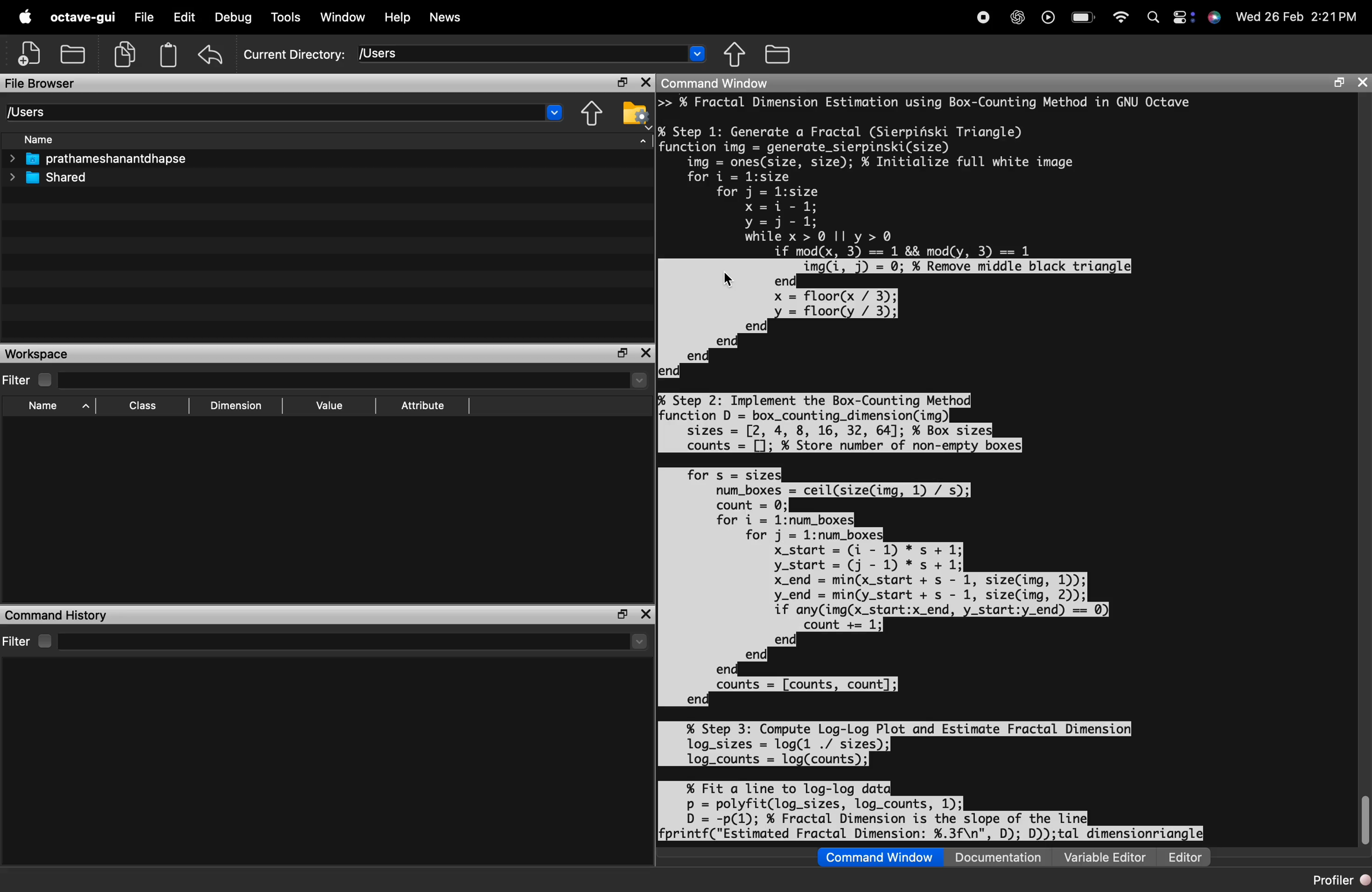 Image resolution: width=1372 pixels, height=892 pixels. What do you see at coordinates (620, 611) in the screenshot?
I see `maximise` at bounding box center [620, 611].